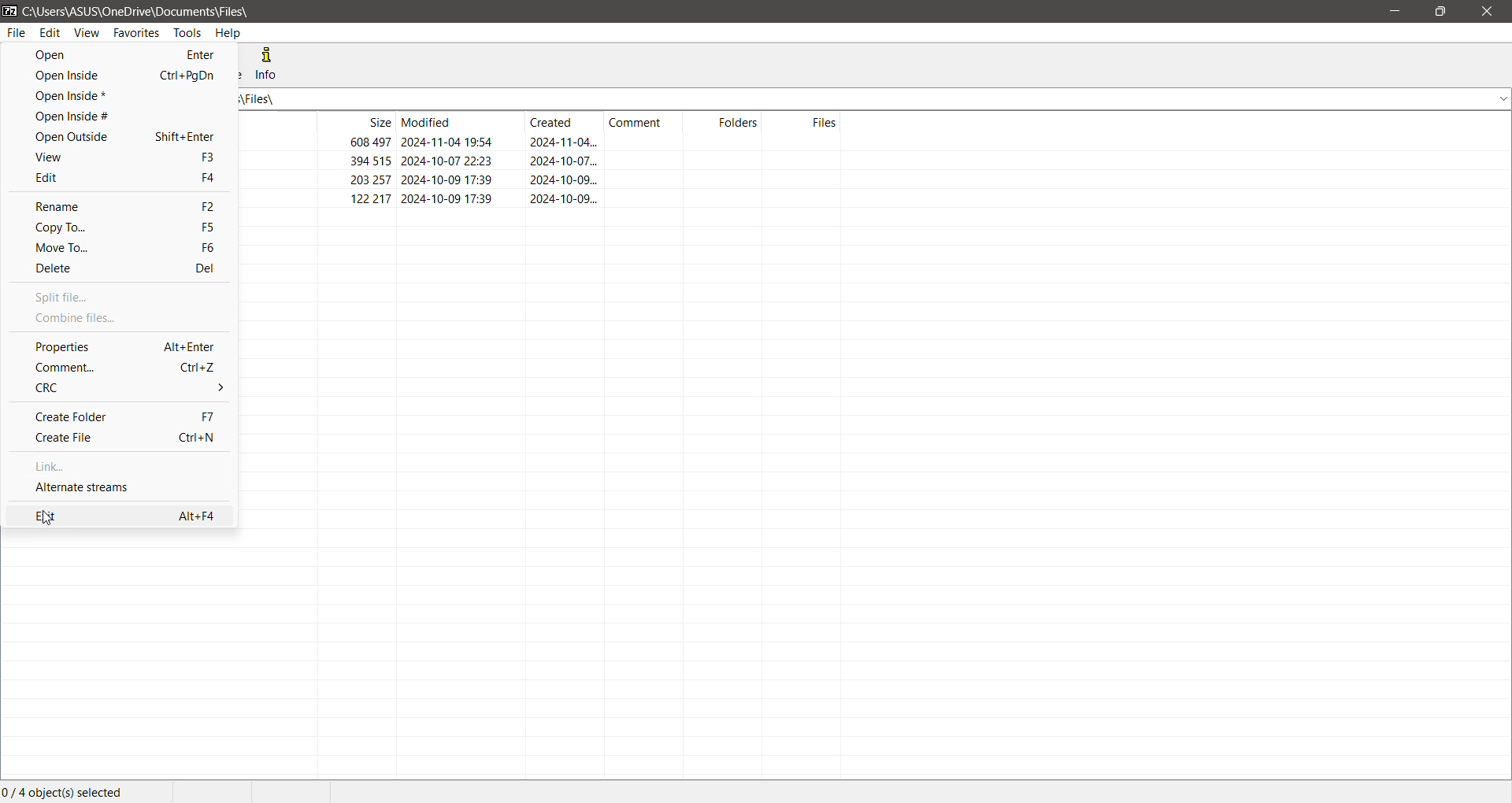 The image size is (1512, 803). I want to click on Minimize, so click(1395, 10).